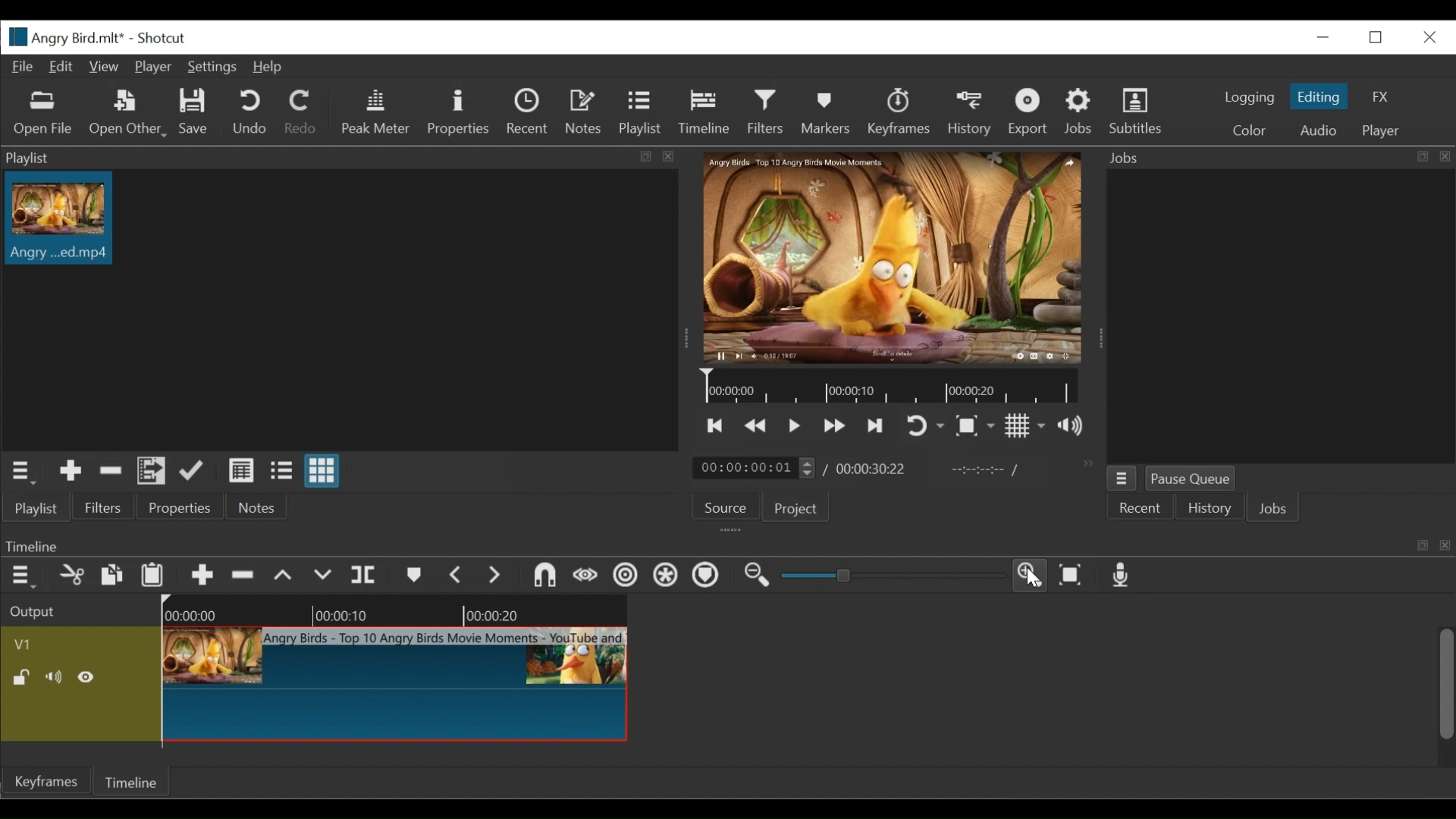 This screenshot has width=1456, height=819. I want to click on Total duration, so click(877, 469).